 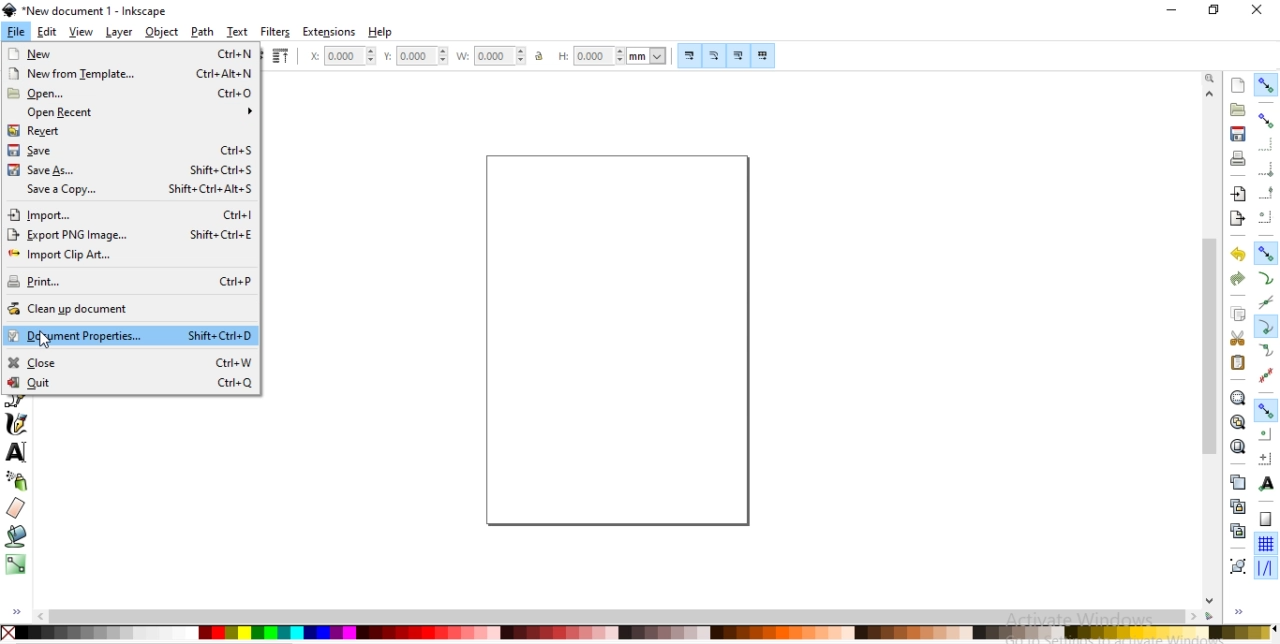 I want to click on extensions, so click(x=329, y=33).